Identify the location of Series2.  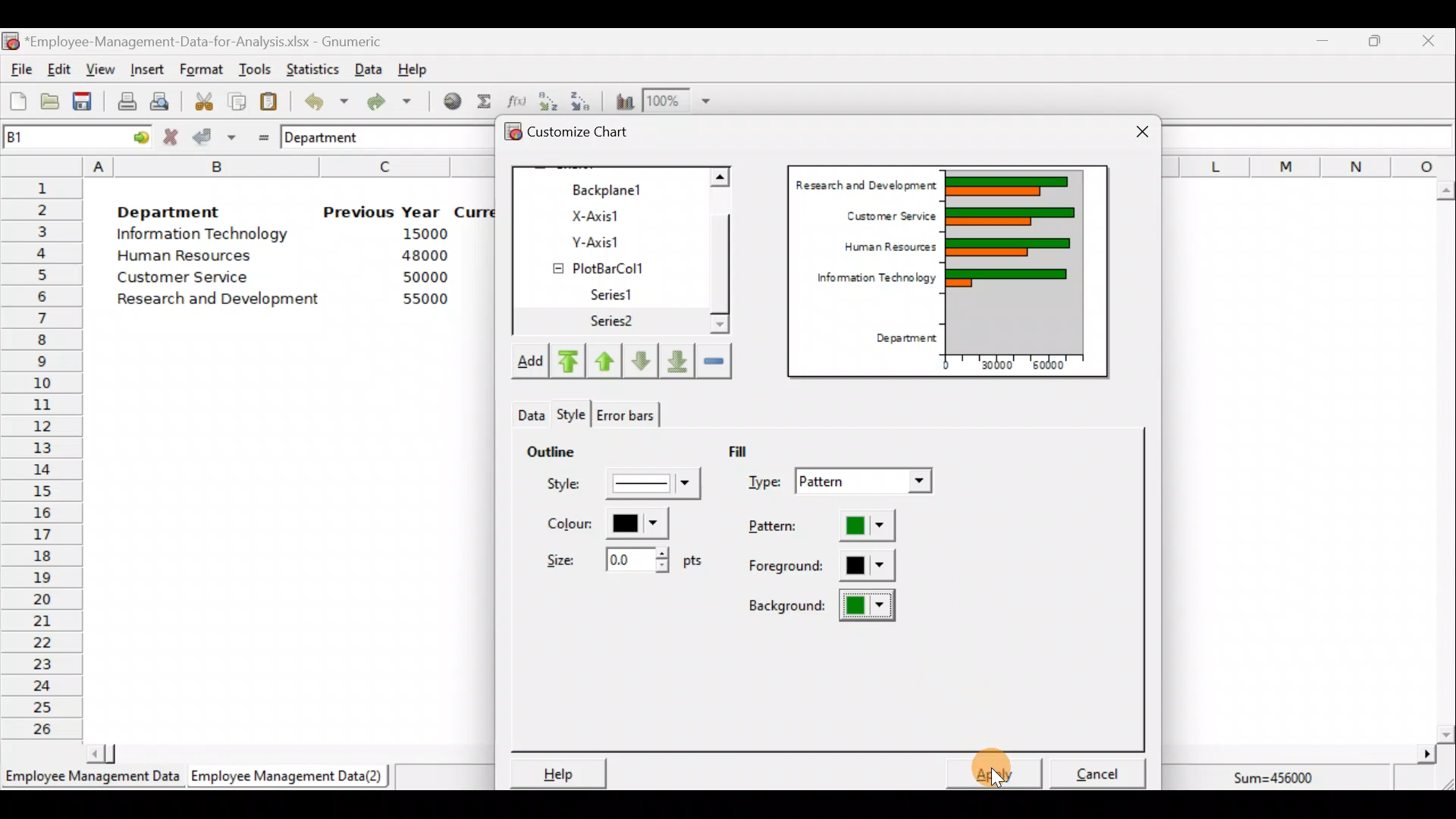
(615, 322).